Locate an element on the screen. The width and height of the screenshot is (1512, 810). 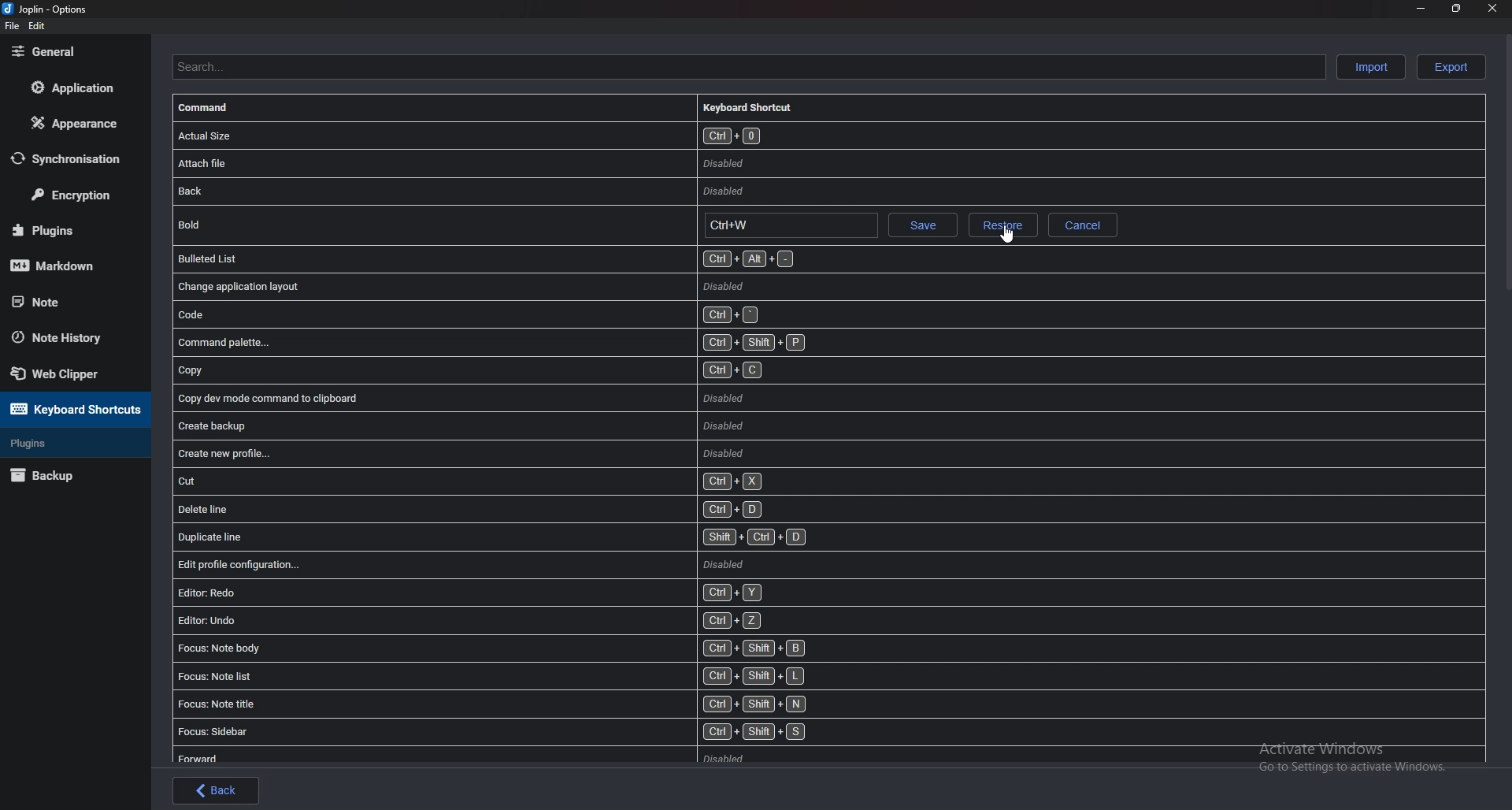
resize is located at coordinates (1457, 9).